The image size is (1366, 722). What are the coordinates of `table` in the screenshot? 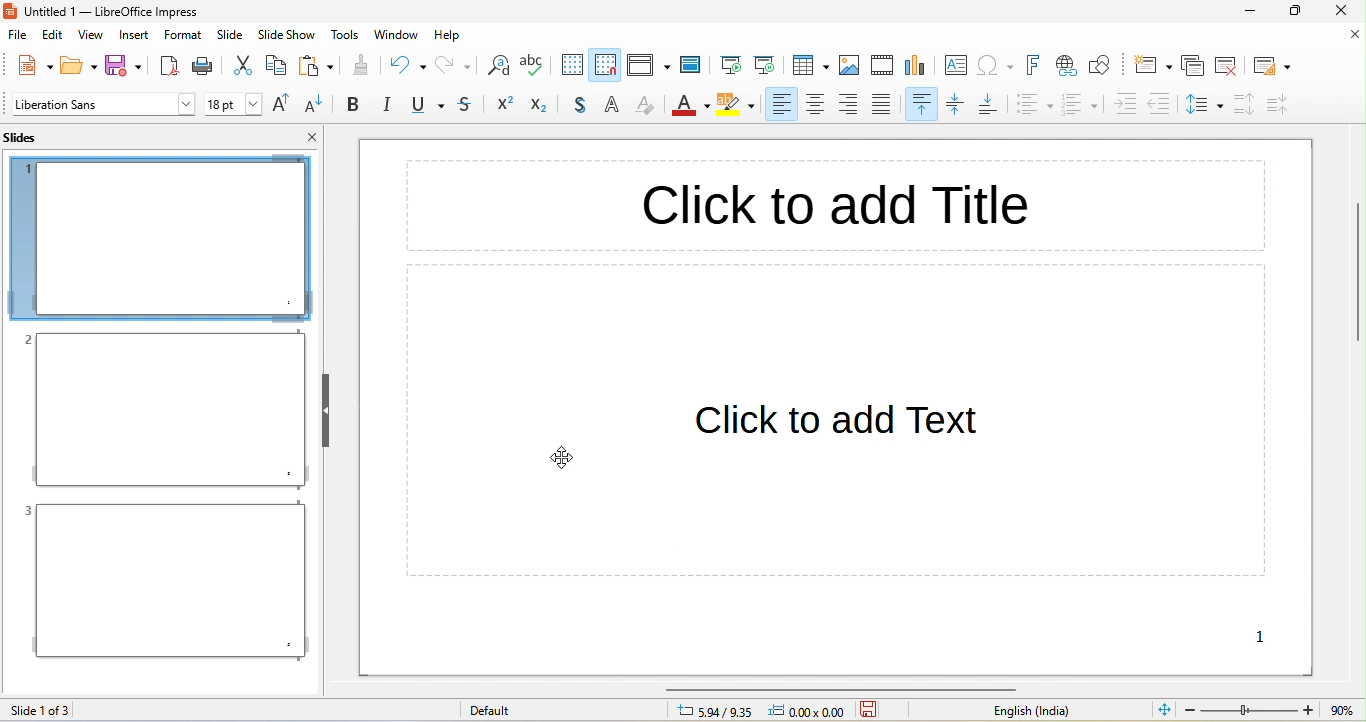 It's located at (812, 66).